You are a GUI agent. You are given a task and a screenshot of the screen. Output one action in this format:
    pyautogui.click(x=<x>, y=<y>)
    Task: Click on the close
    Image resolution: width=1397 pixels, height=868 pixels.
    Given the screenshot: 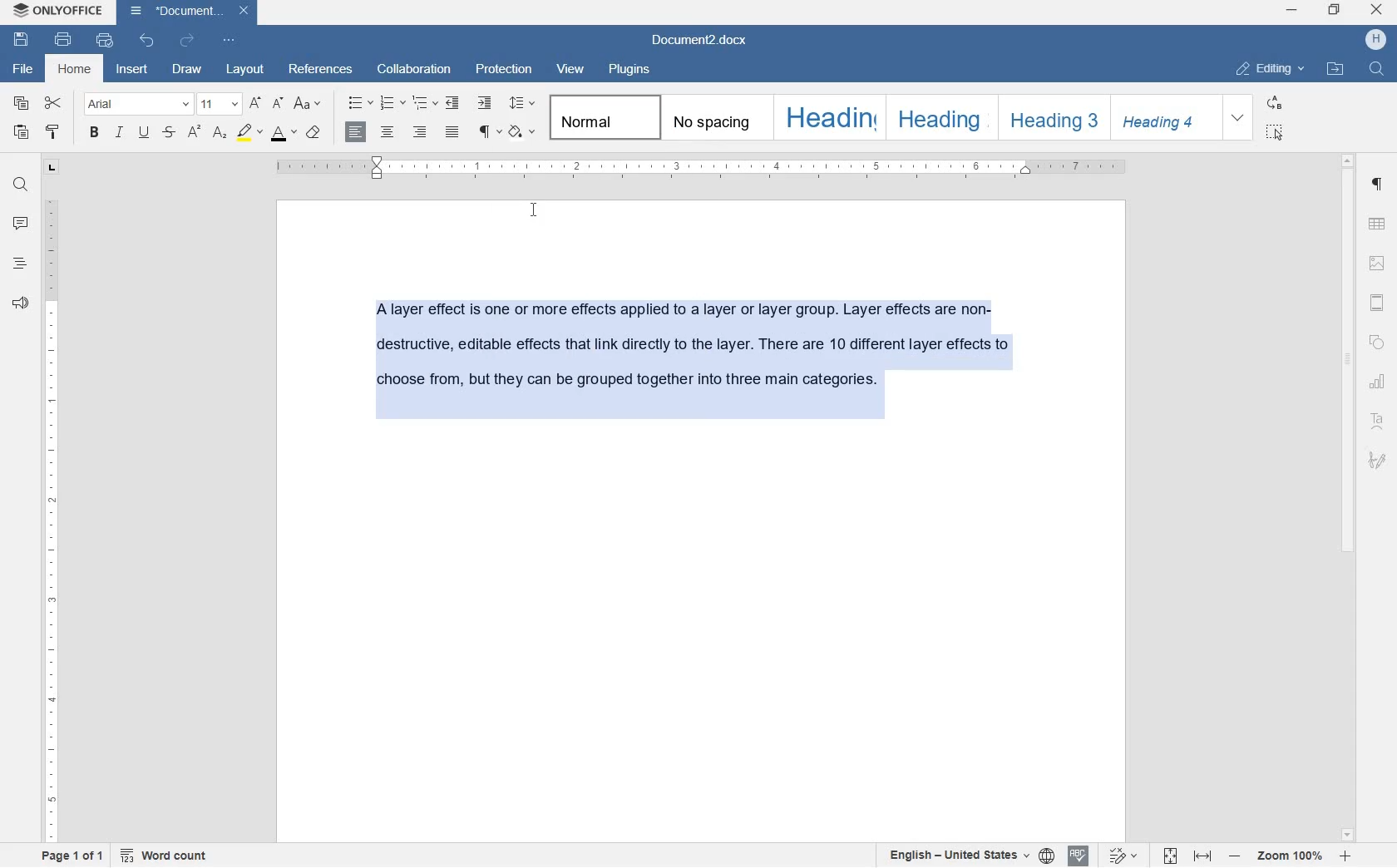 What is the action you would take?
    pyautogui.click(x=1378, y=11)
    